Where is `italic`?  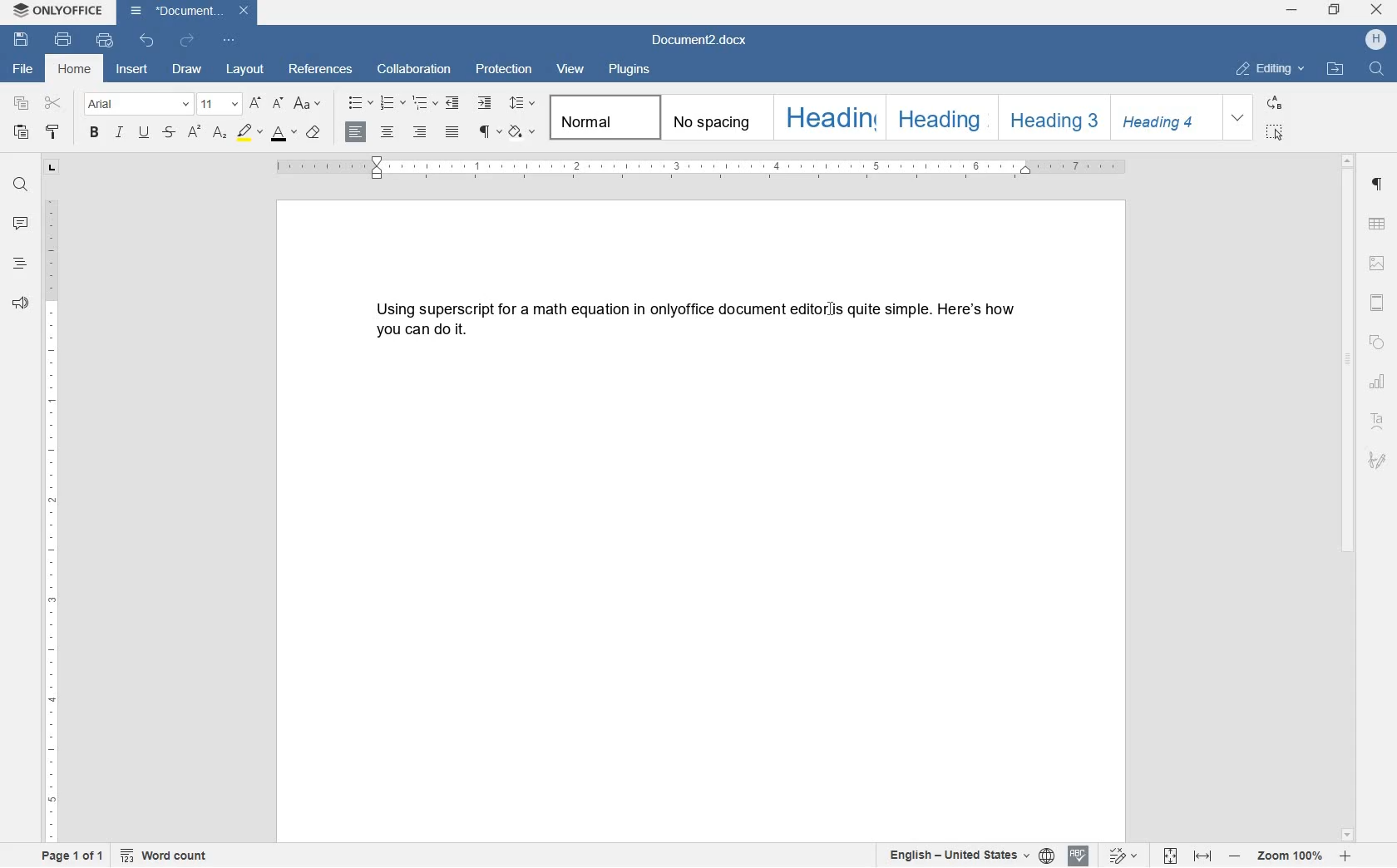 italic is located at coordinates (120, 135).